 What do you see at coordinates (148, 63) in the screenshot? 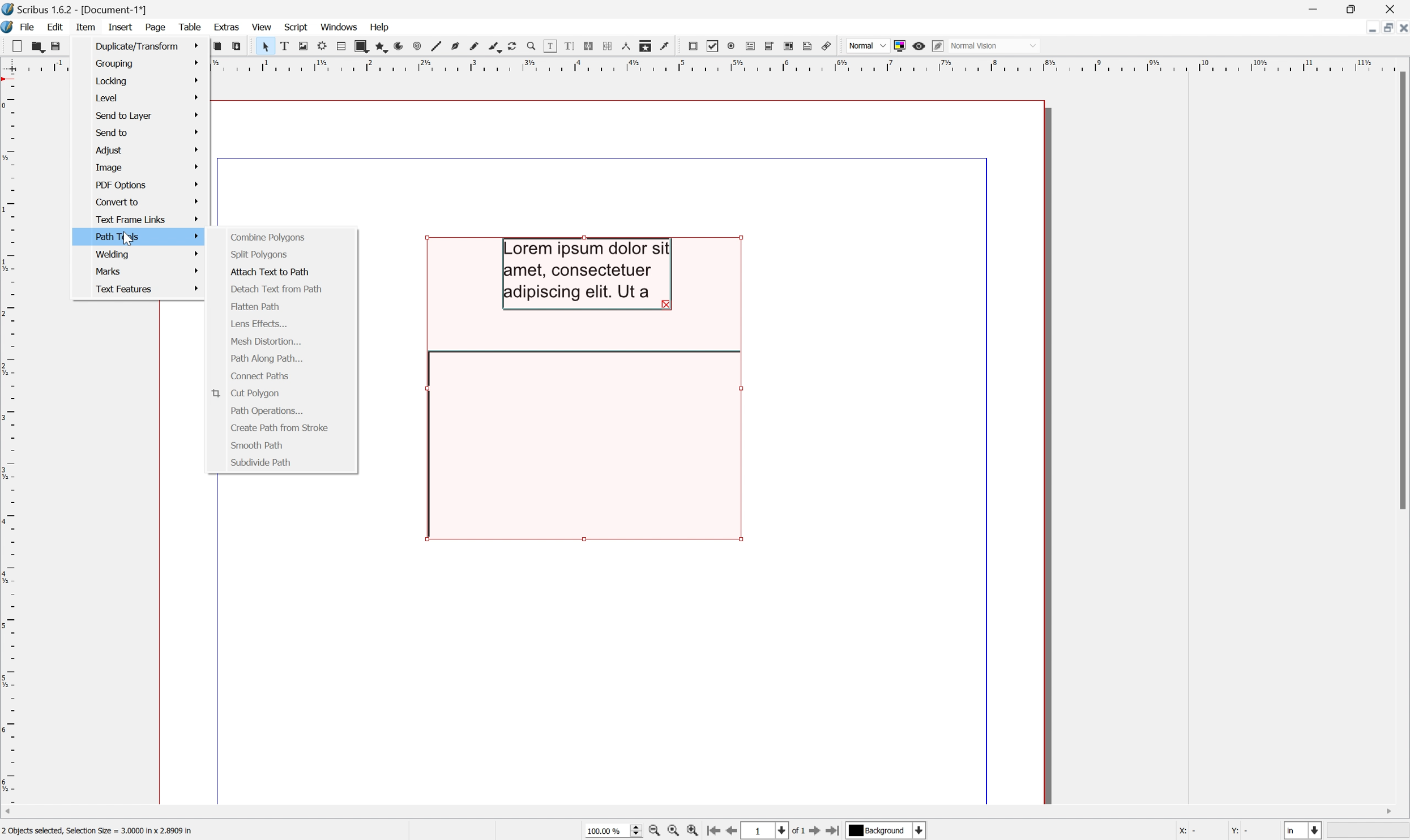
I see `Grouping` at bounding box center [148, 63].